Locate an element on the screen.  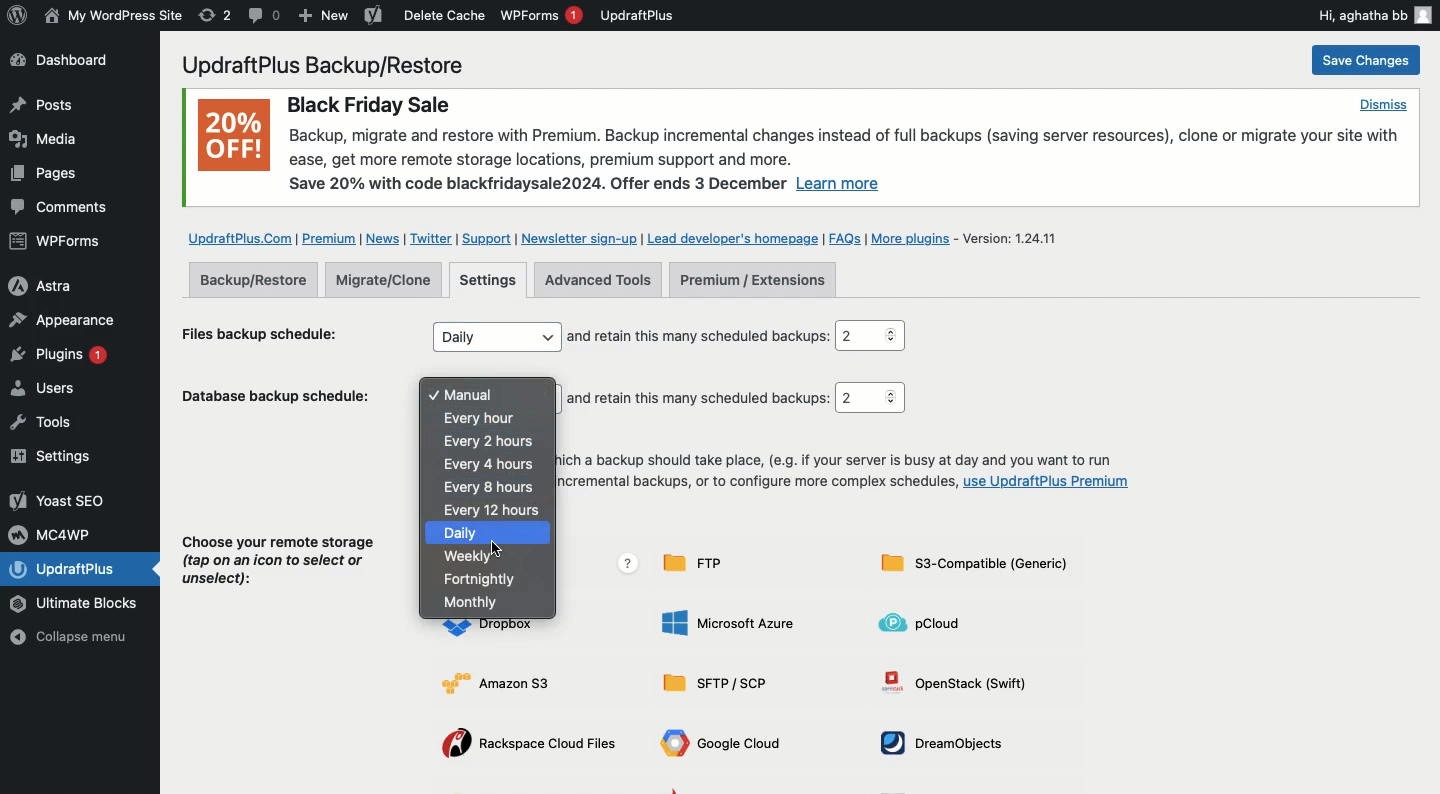
Microsoft Azure is located at coordinates (731, 622).